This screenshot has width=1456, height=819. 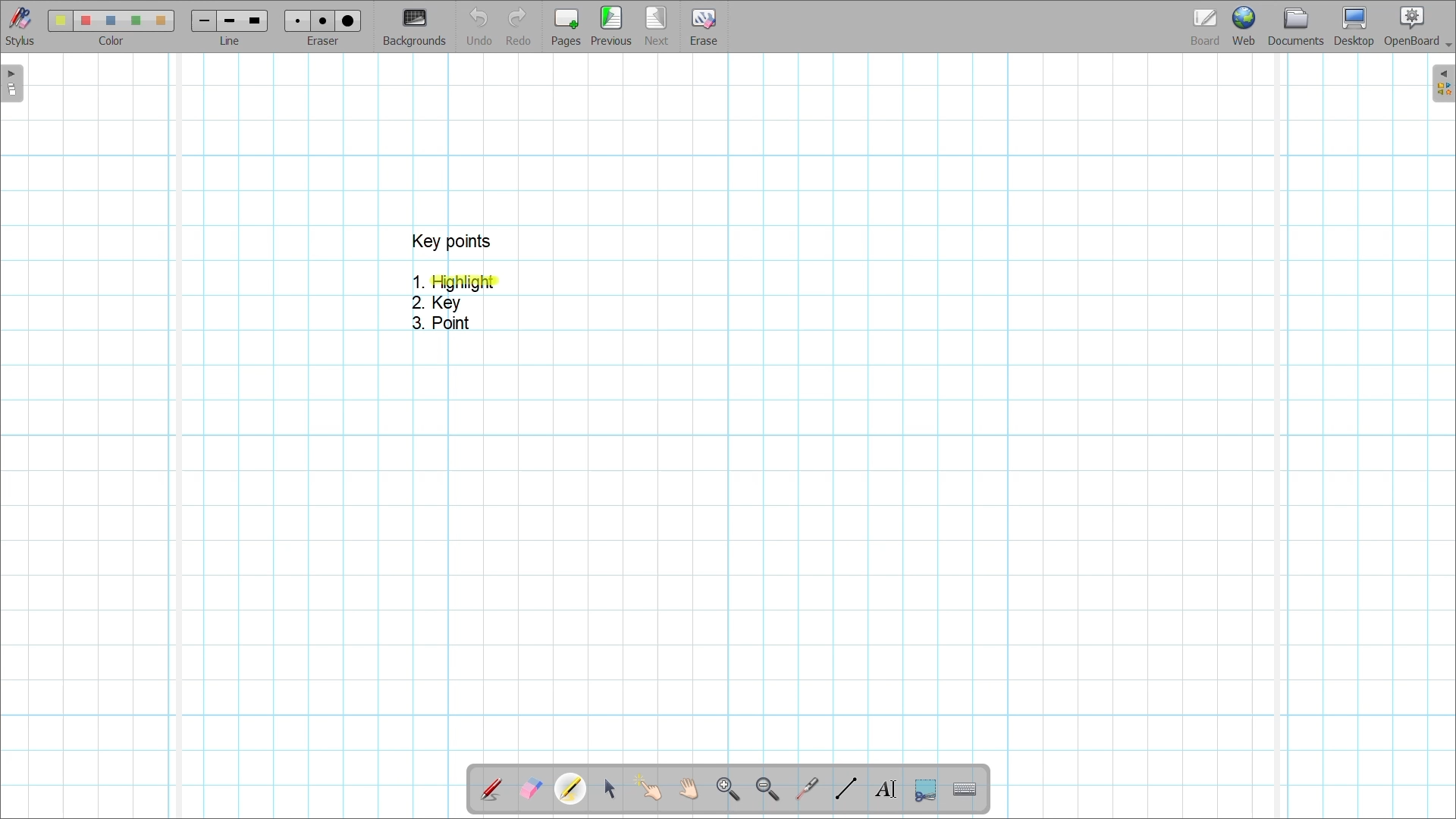 What do you see at coordinates (519, 26) in the screenshot?
I see `Redo` at bounding box center [519, 26].